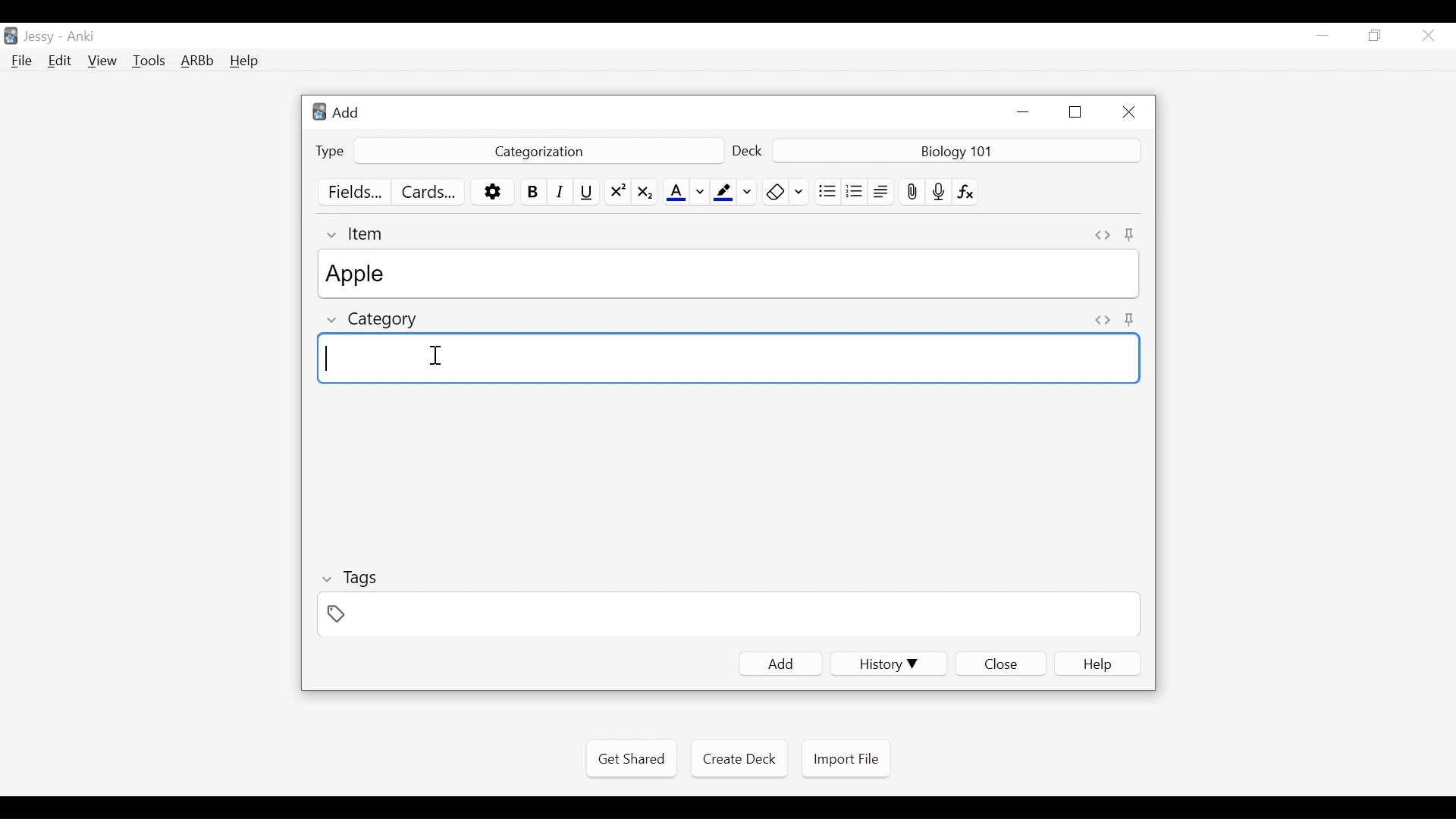 This screenshot has height=819, width=1456. What do you see at coordinates (534, 192) in the screenshot?
I see `Bold` at bounding box center [534, 192].